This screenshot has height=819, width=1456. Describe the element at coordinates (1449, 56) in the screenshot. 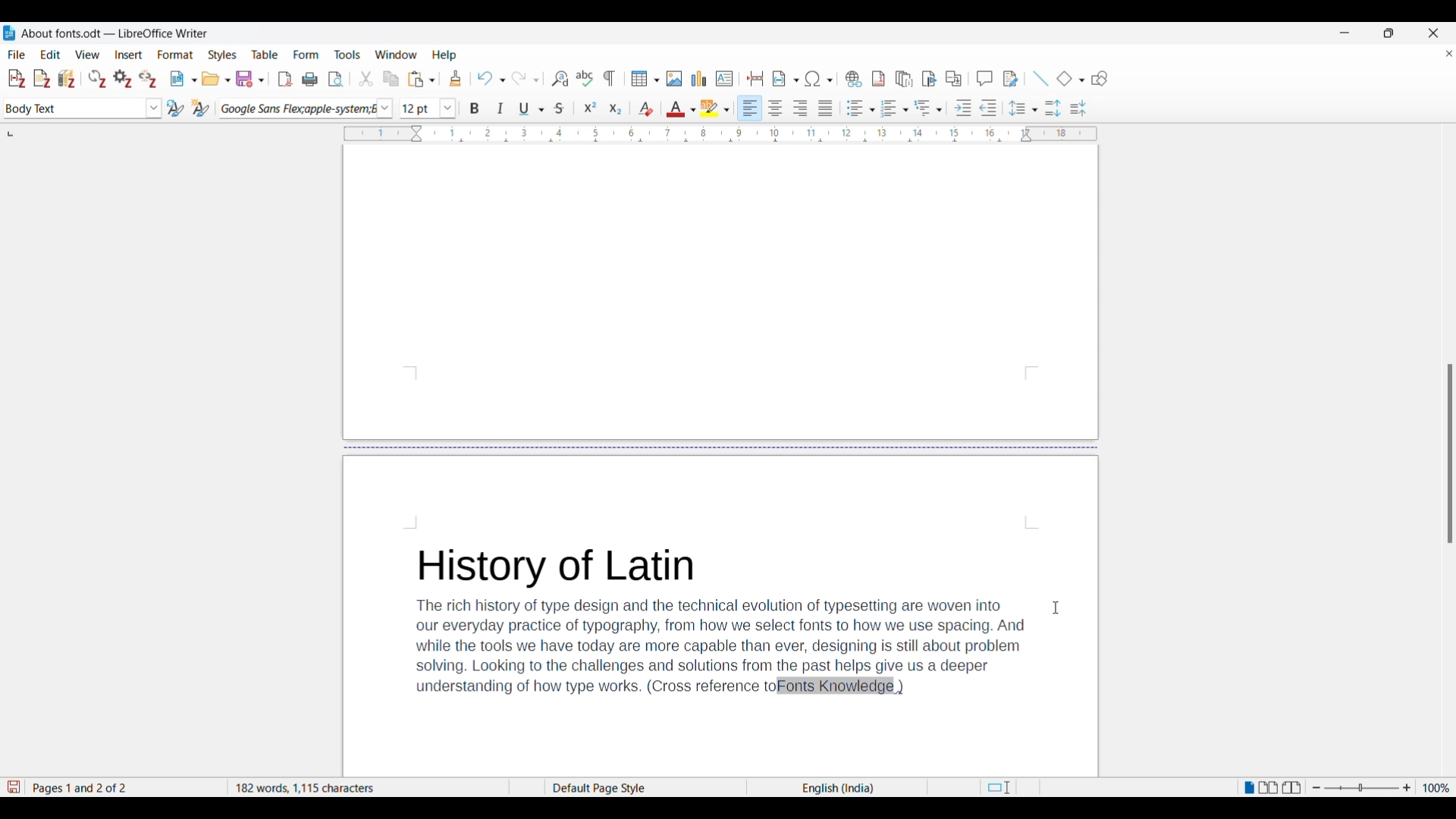

I see `Close document` at that location.